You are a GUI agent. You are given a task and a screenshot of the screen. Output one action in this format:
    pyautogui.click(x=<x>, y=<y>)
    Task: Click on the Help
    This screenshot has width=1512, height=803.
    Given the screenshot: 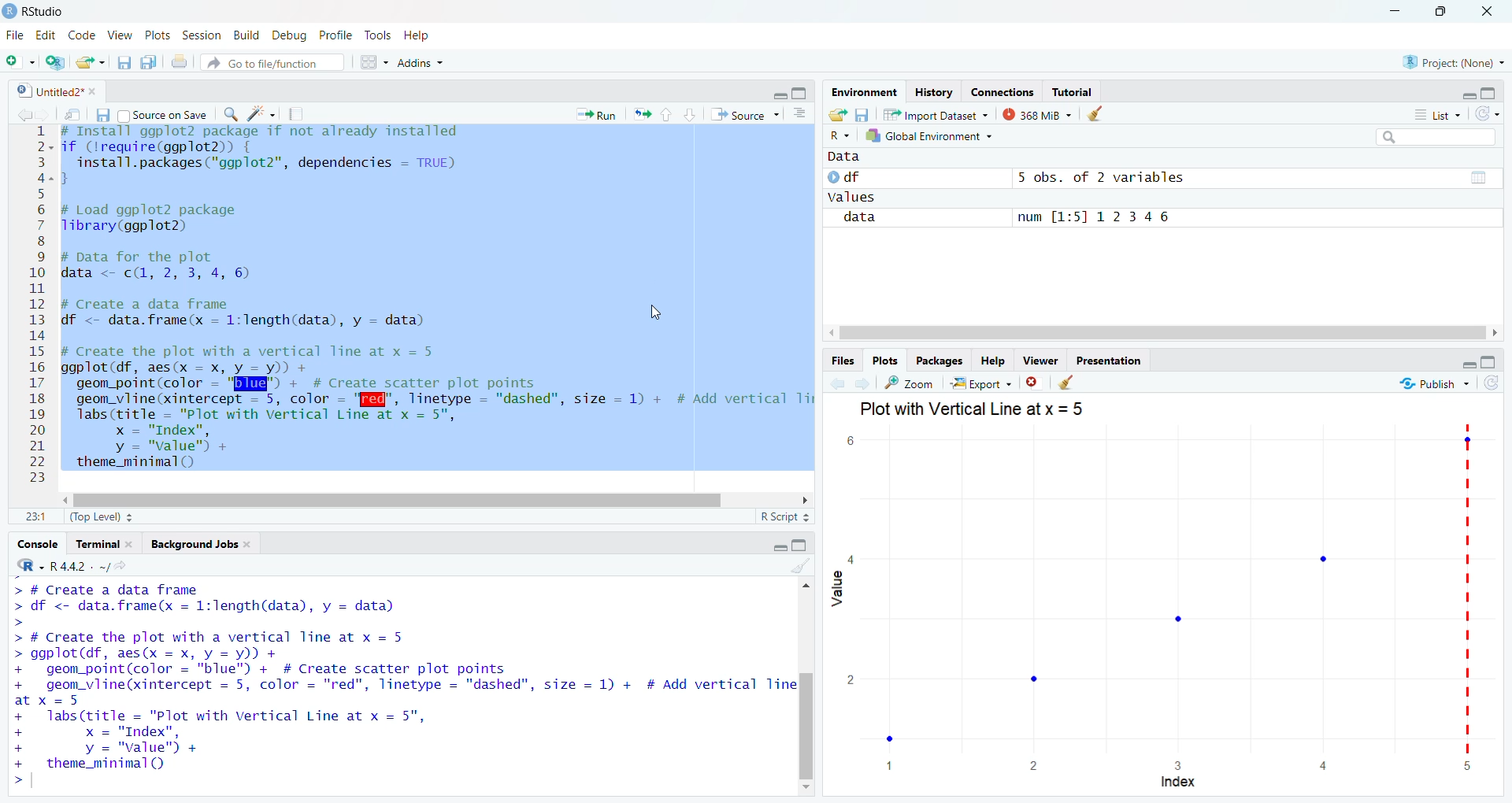 What is the action you would take?
    pyautogui.click(x=423, y=35)
    